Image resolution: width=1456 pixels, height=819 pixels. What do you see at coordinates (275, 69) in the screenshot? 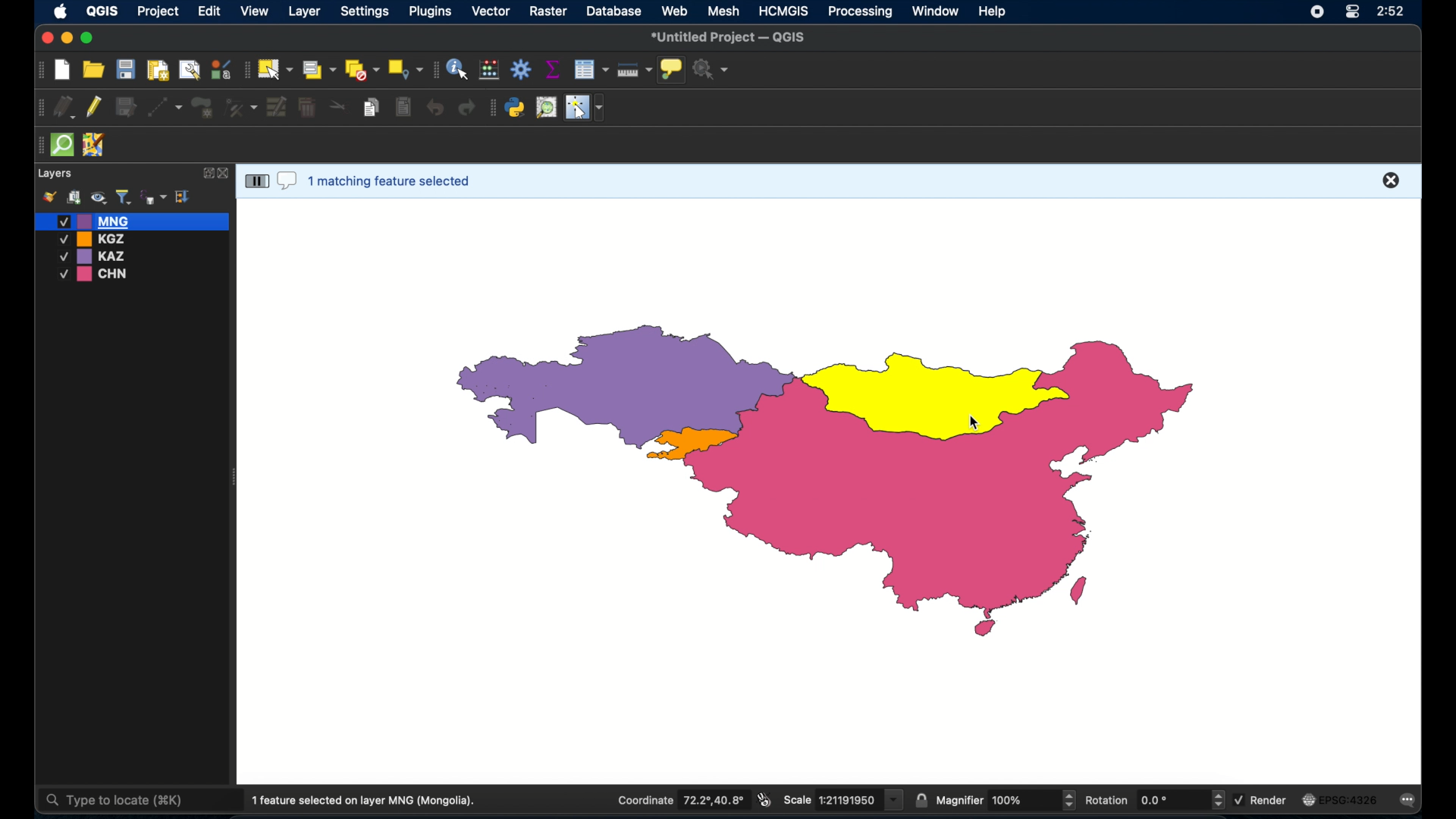
I see `select features` at bounding box center [275, 69].